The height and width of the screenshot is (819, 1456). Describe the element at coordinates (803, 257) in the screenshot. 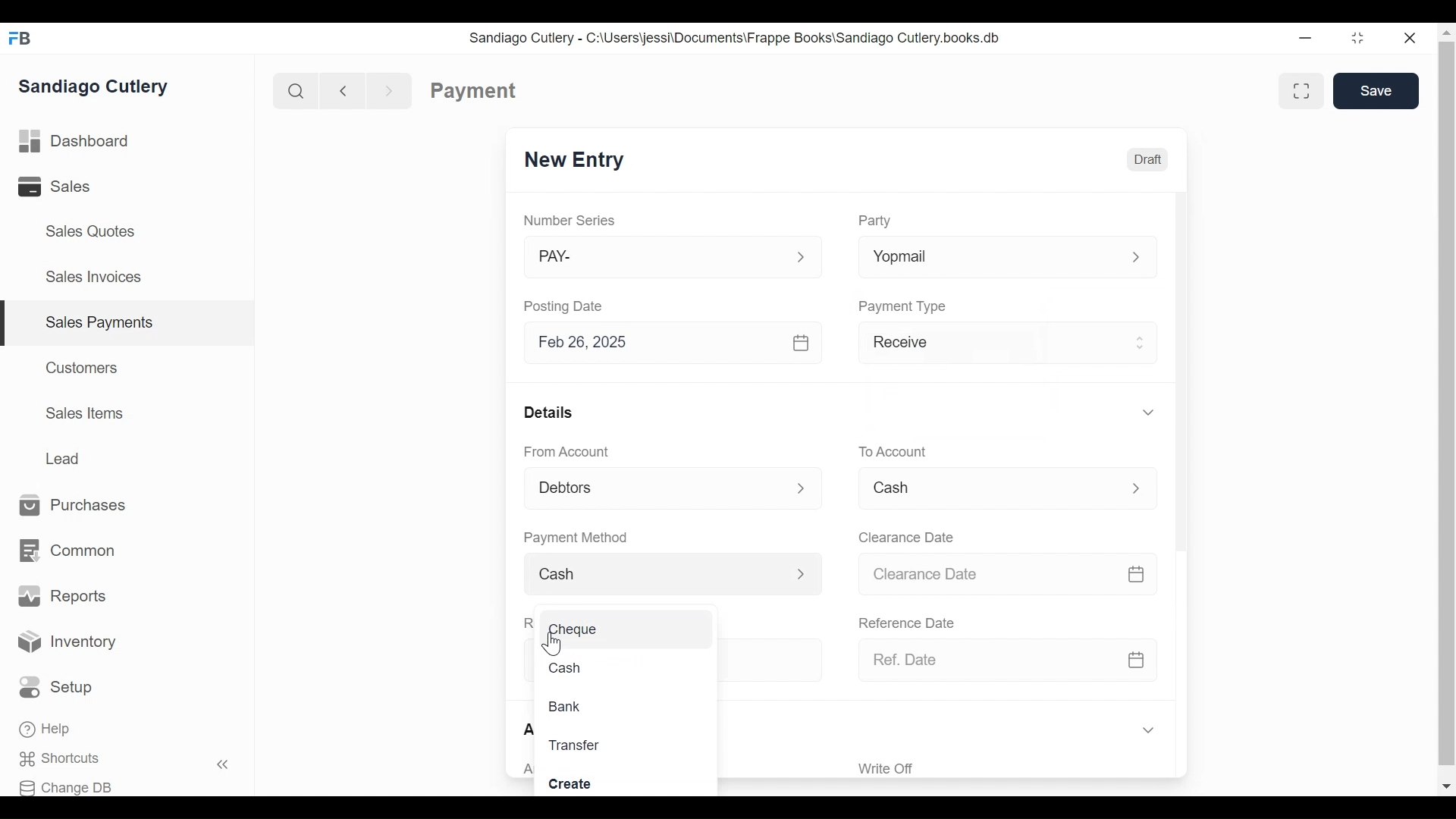

I see `Expand` at that location.